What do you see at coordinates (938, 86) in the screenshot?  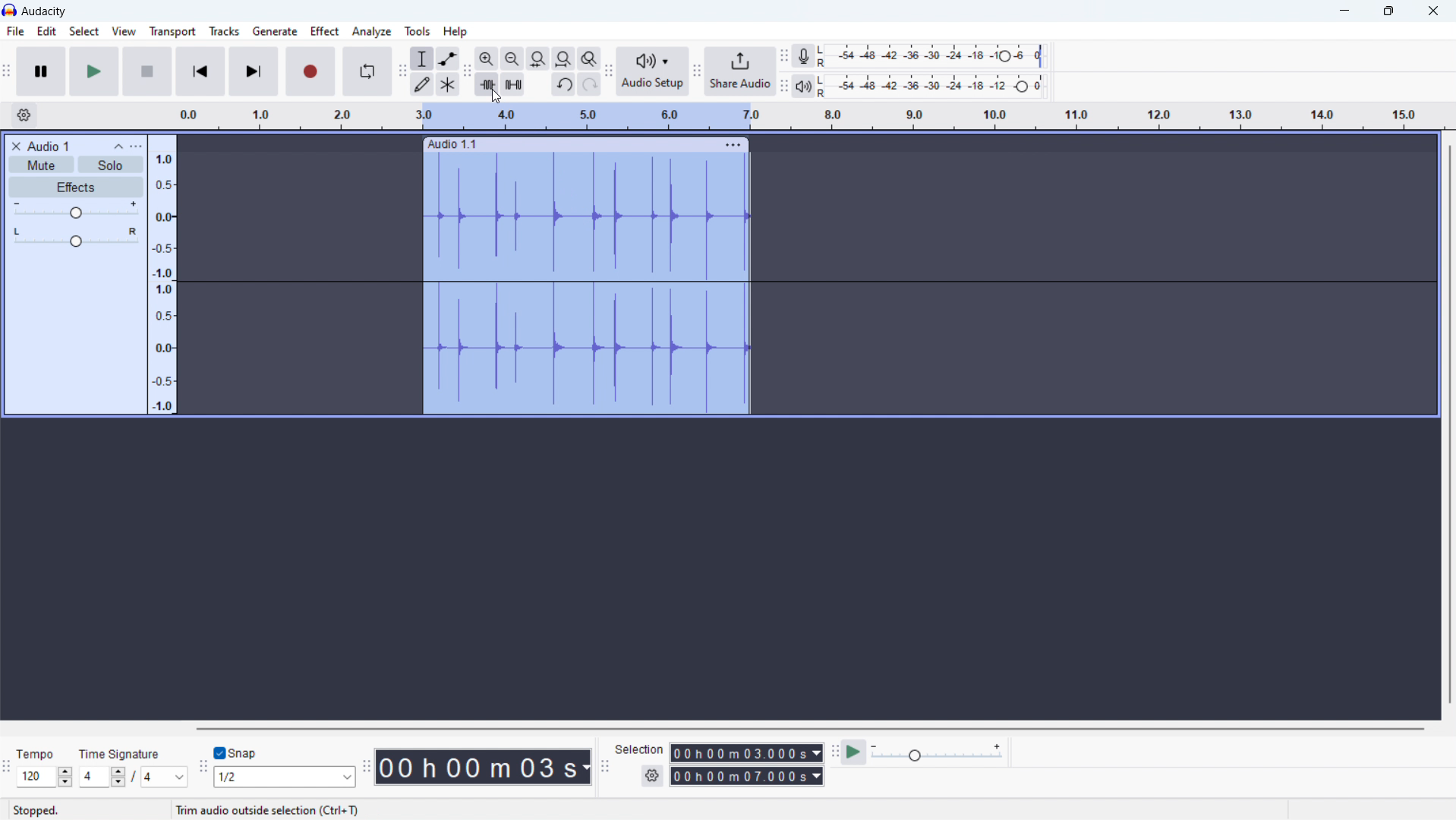 I see `playback level` at bounding box center [938, 86].